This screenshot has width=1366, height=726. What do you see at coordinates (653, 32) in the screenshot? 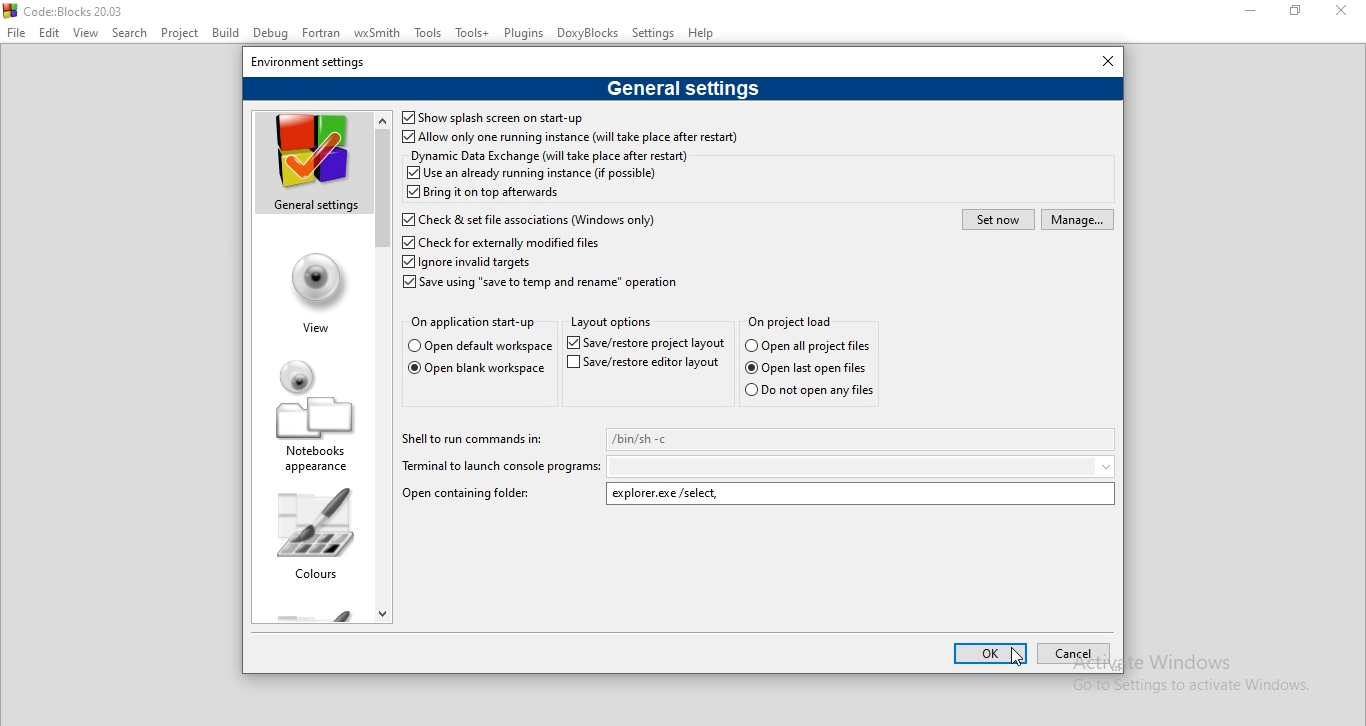
I see `Settings` at bounding box center [653, 32].